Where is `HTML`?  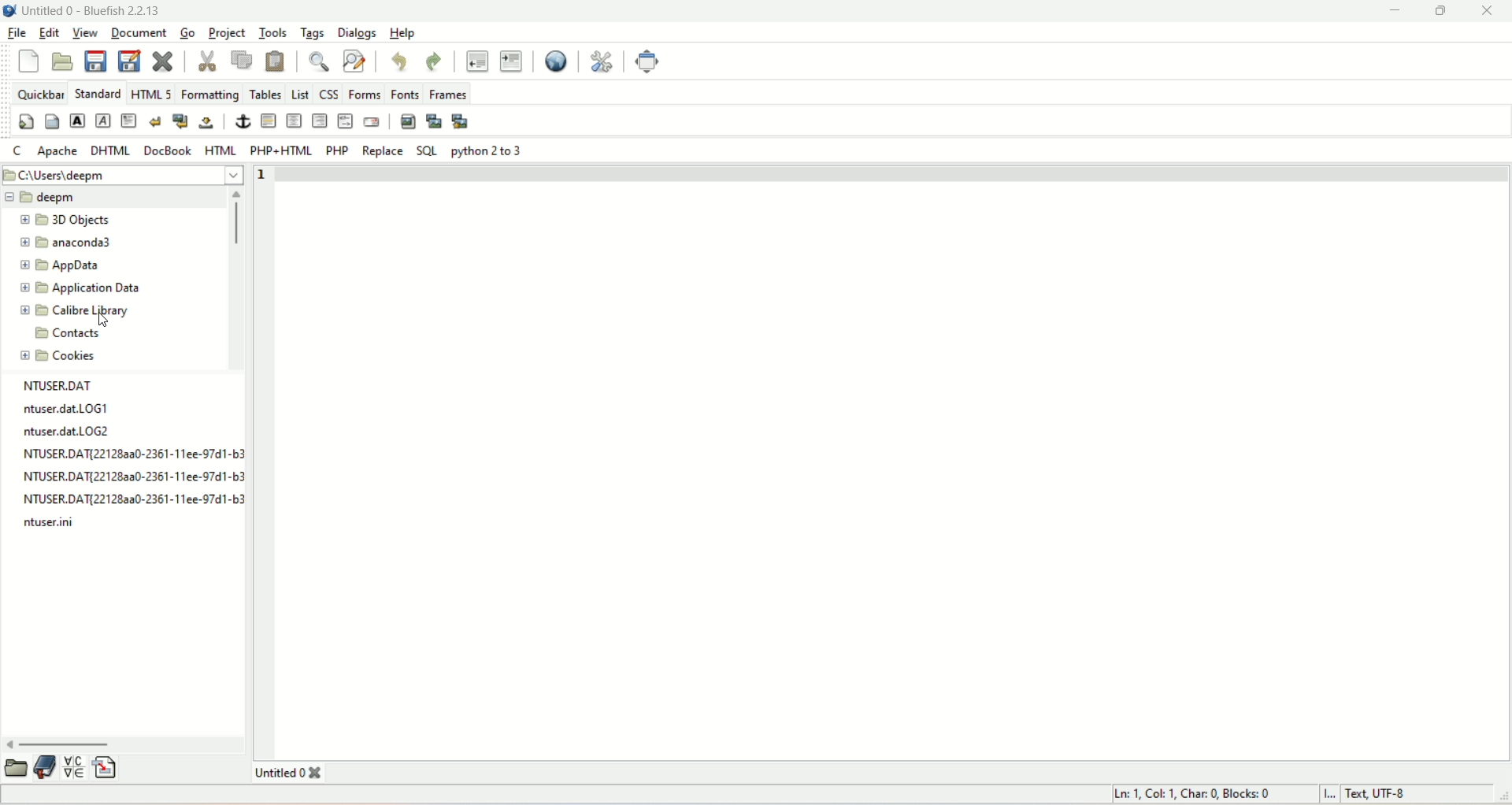
HTML is located at coordinates (220, 149).